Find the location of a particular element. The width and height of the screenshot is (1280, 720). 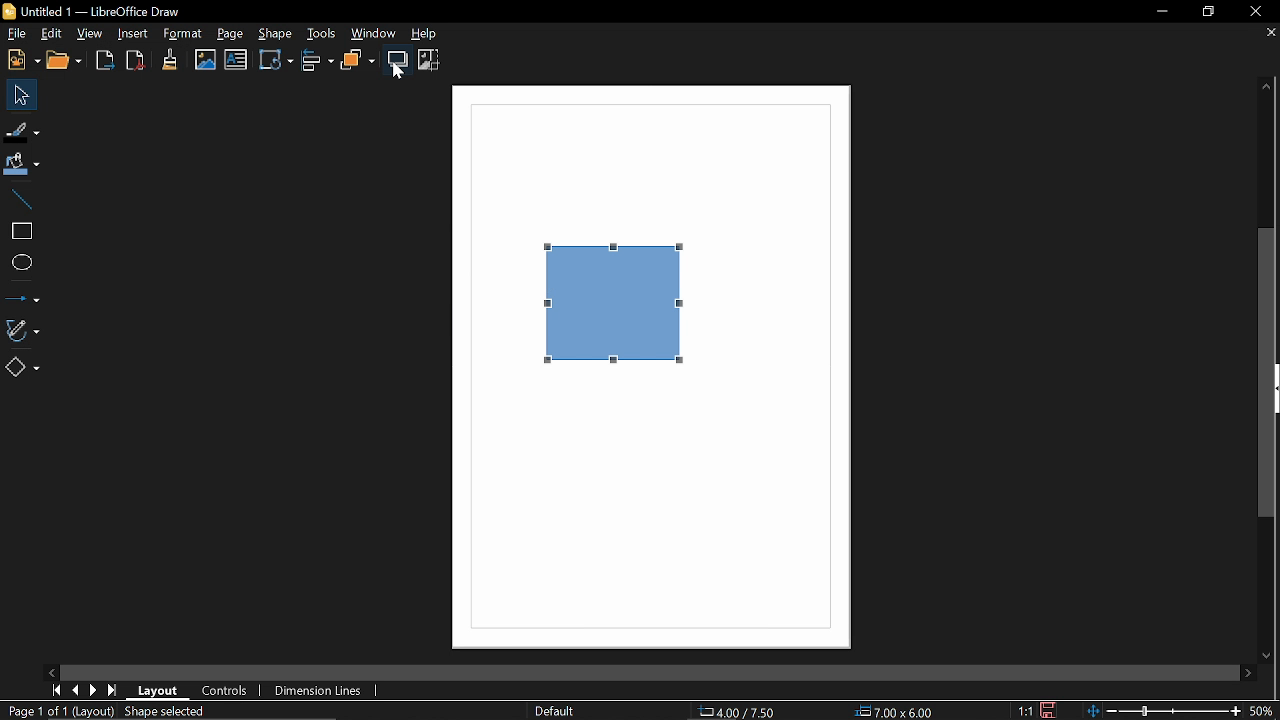

Arrange is located at coordinates (359, 60).